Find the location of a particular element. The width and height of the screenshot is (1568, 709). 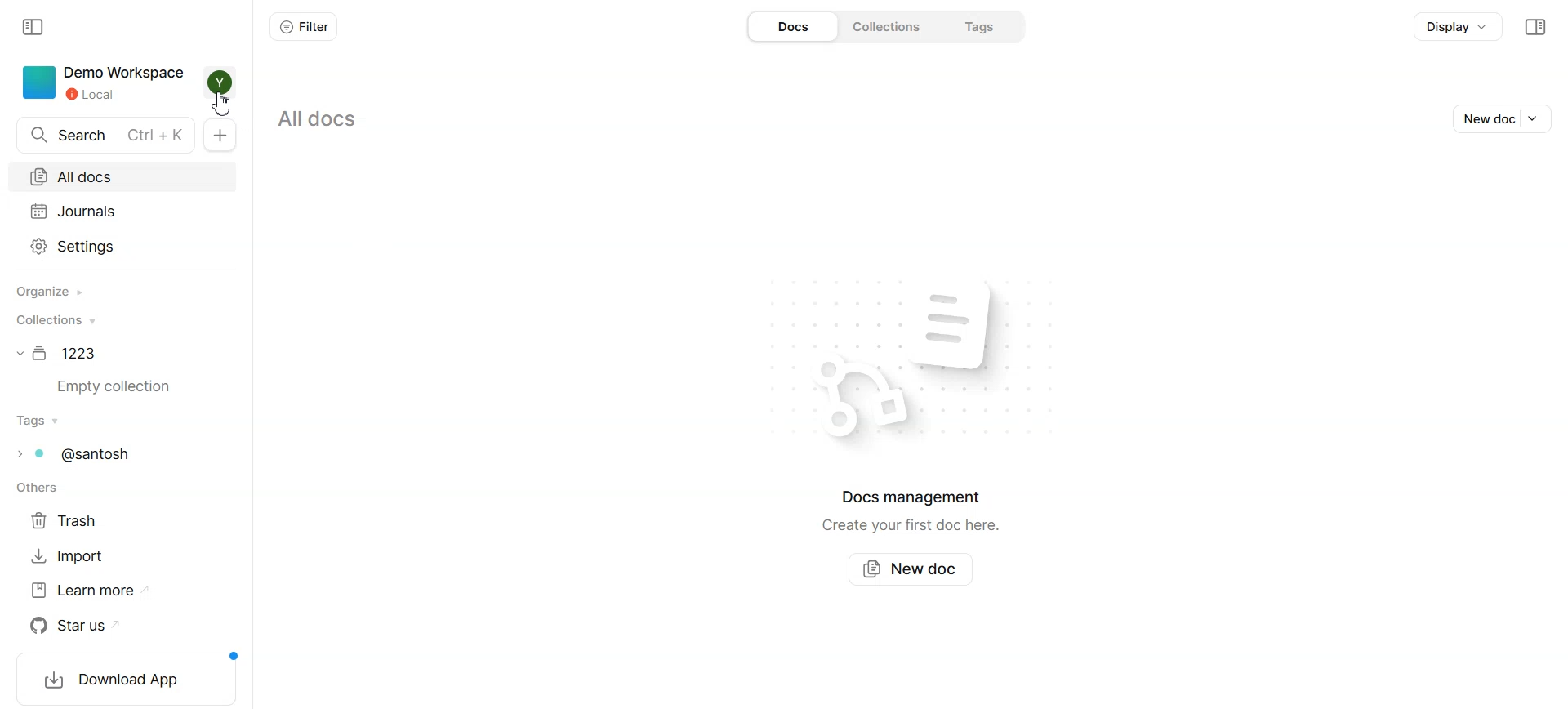

Display is located at coordinates (1458, 25).